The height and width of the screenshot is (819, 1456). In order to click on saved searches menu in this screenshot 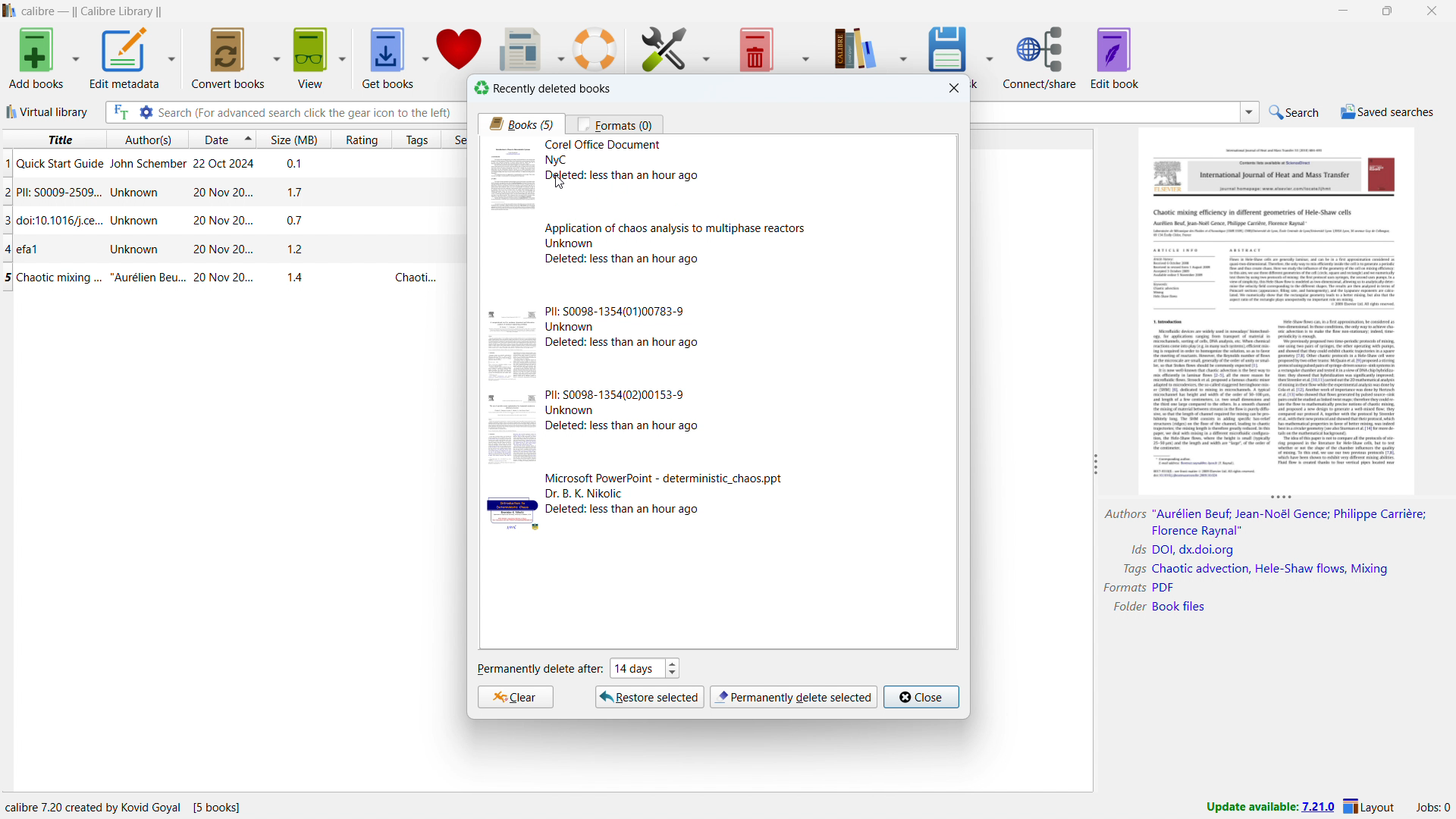, I will do `click(1387, 111)`.